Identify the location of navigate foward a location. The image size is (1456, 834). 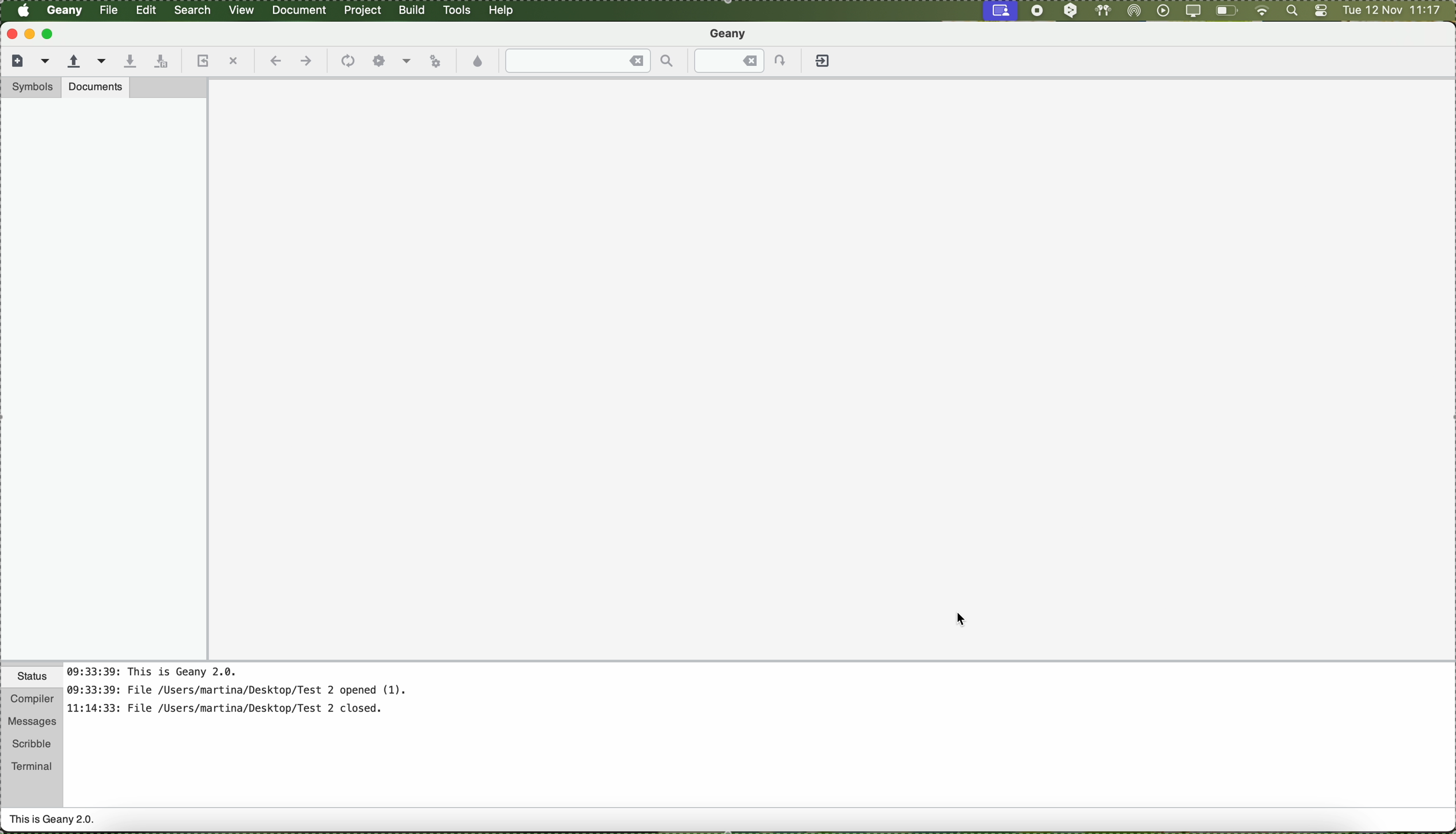
(305, 61).